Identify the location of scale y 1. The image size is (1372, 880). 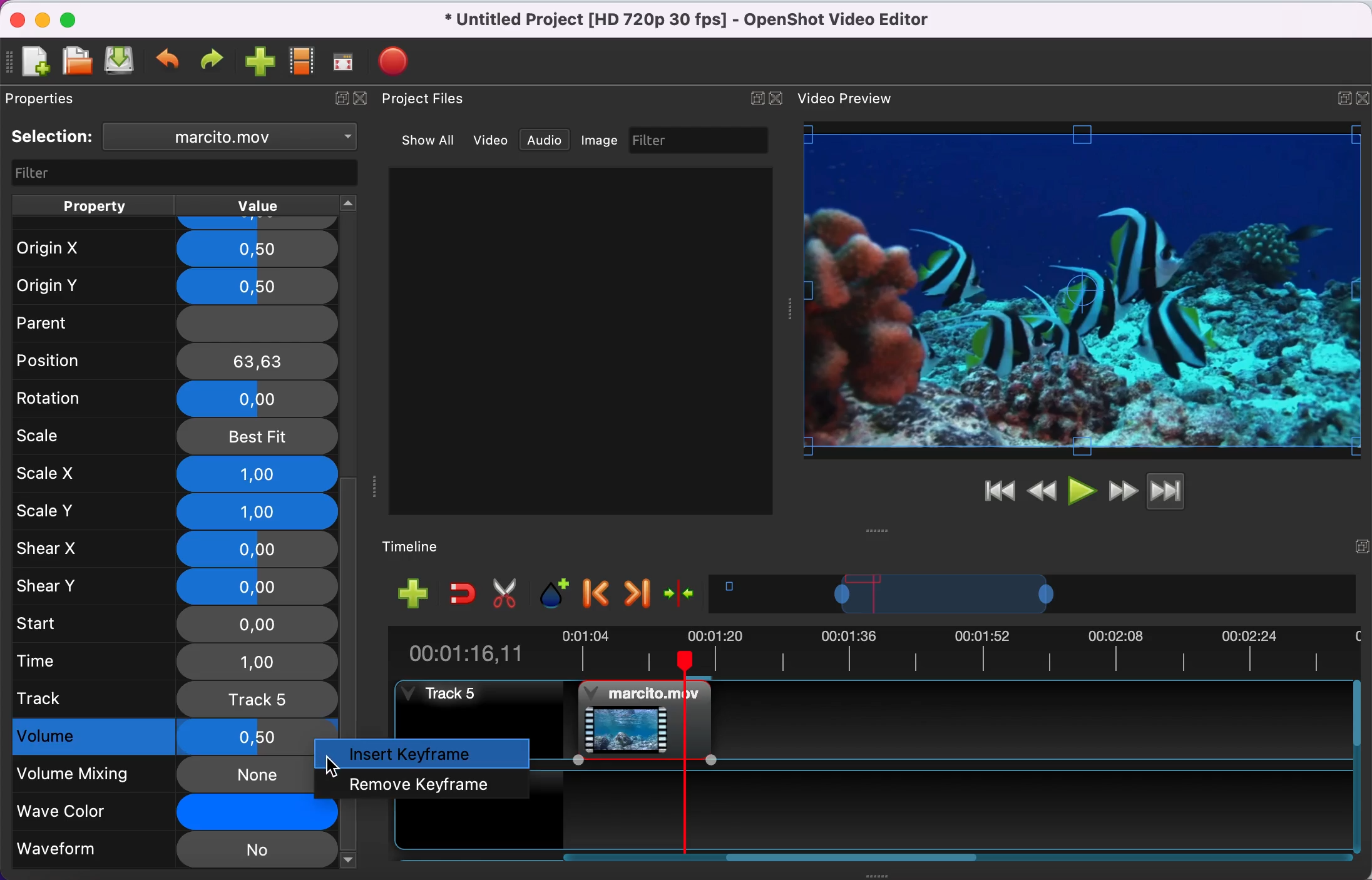
(176, 511).